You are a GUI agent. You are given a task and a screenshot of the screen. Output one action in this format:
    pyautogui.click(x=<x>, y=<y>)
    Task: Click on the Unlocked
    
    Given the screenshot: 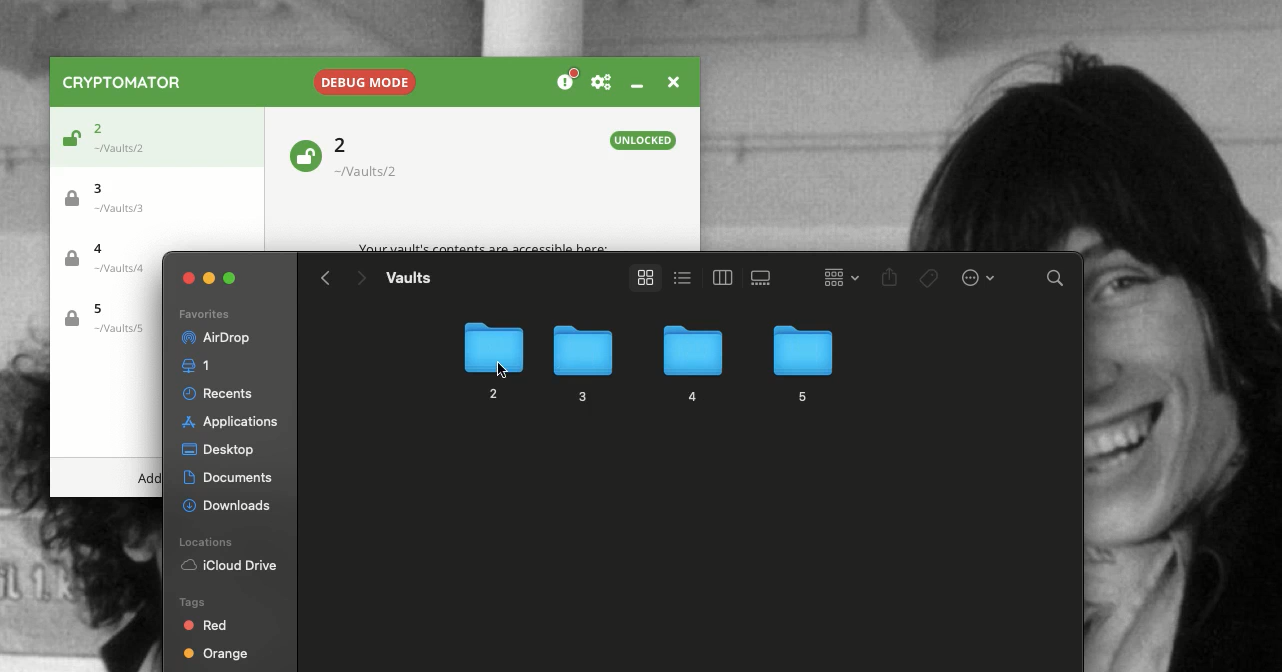 What is the action you would take?
    pyautogui.click(x=68, y=141)
    